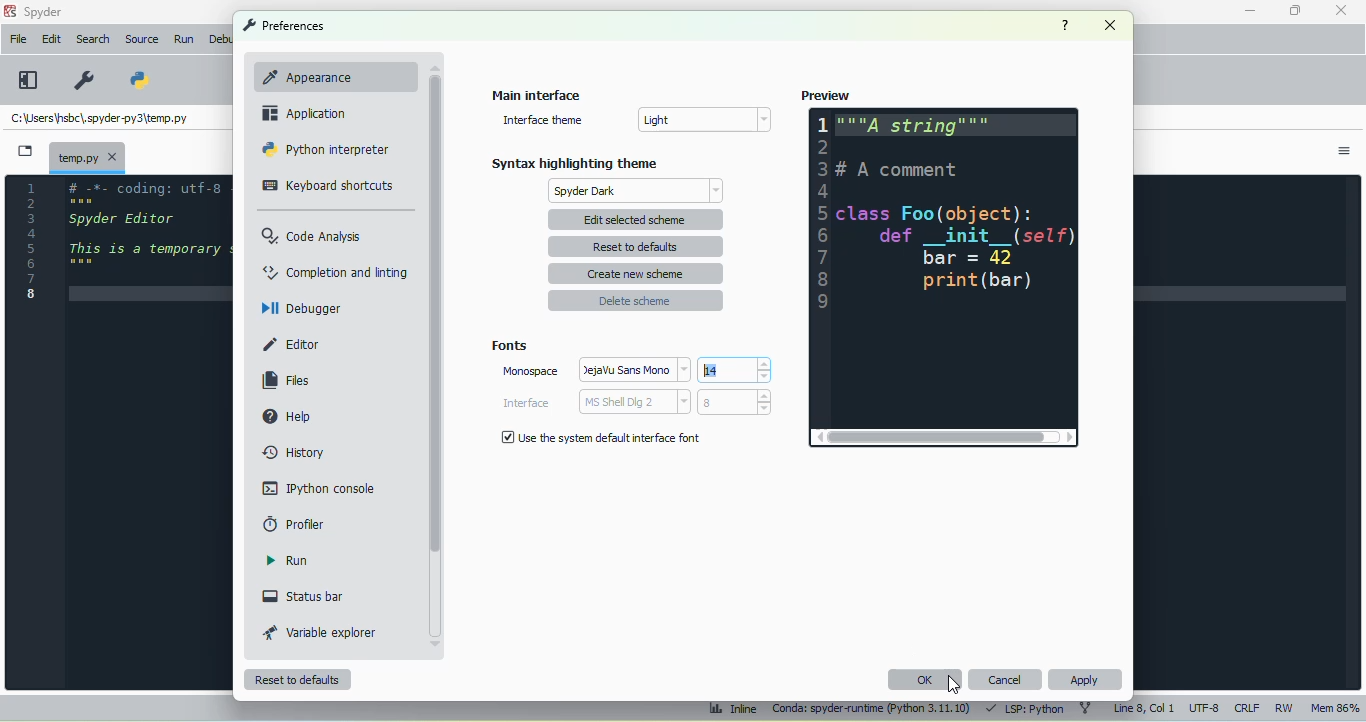  I want to click on Up, so click(432, 62).